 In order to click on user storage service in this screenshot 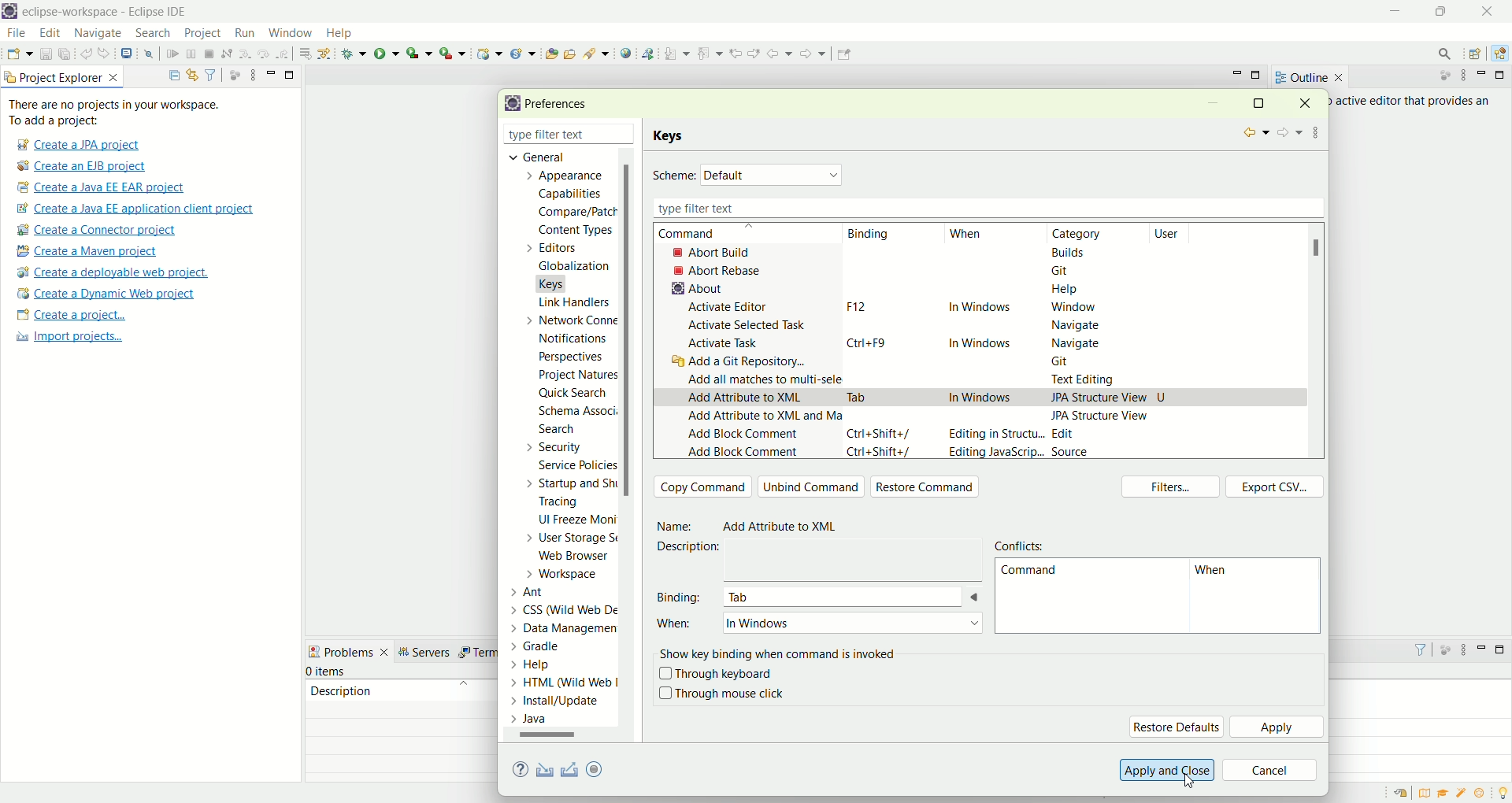, I will do `click(573, 540)`.